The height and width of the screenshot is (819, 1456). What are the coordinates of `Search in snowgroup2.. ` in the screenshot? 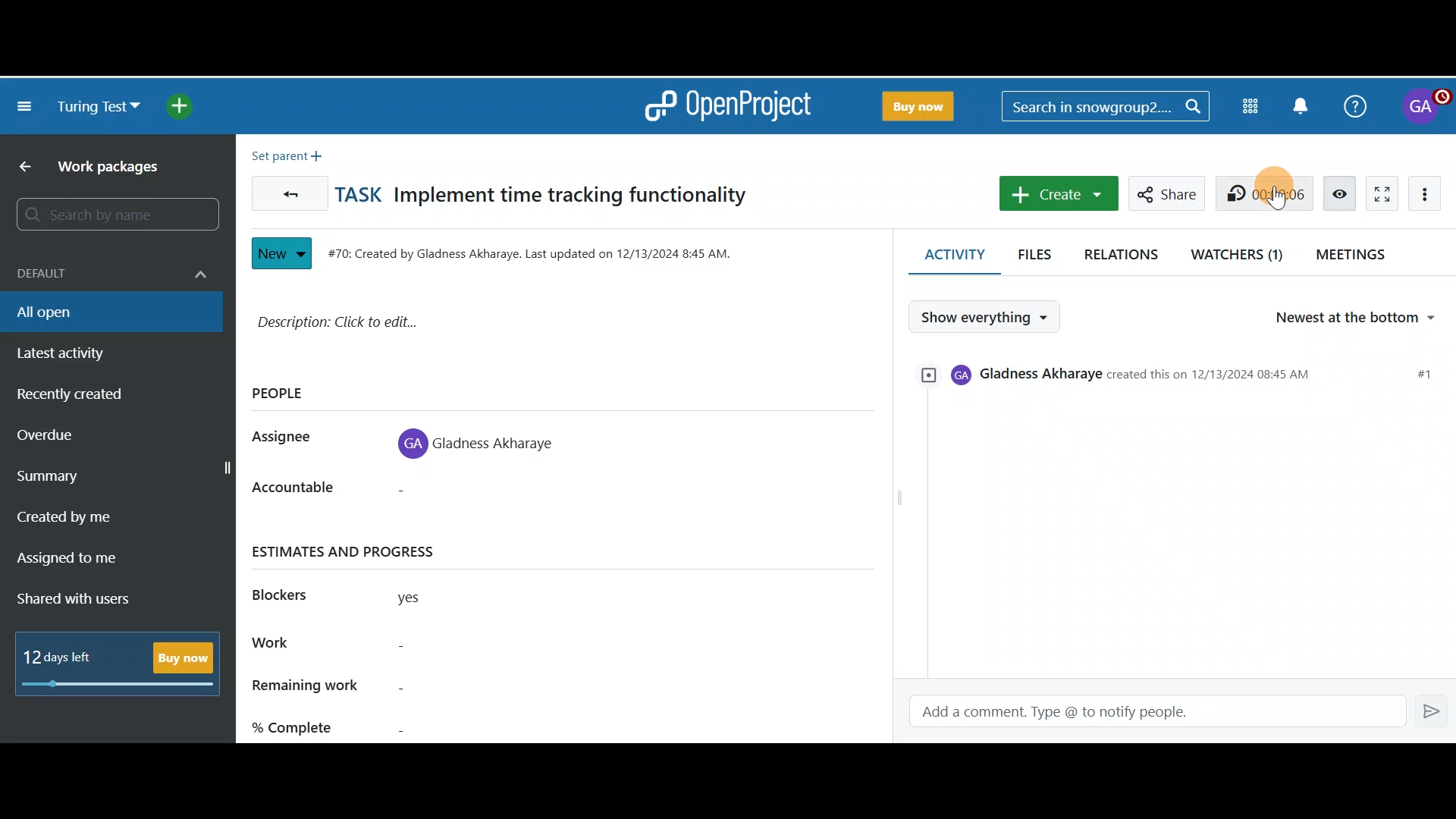 It's located at (1103, 106).